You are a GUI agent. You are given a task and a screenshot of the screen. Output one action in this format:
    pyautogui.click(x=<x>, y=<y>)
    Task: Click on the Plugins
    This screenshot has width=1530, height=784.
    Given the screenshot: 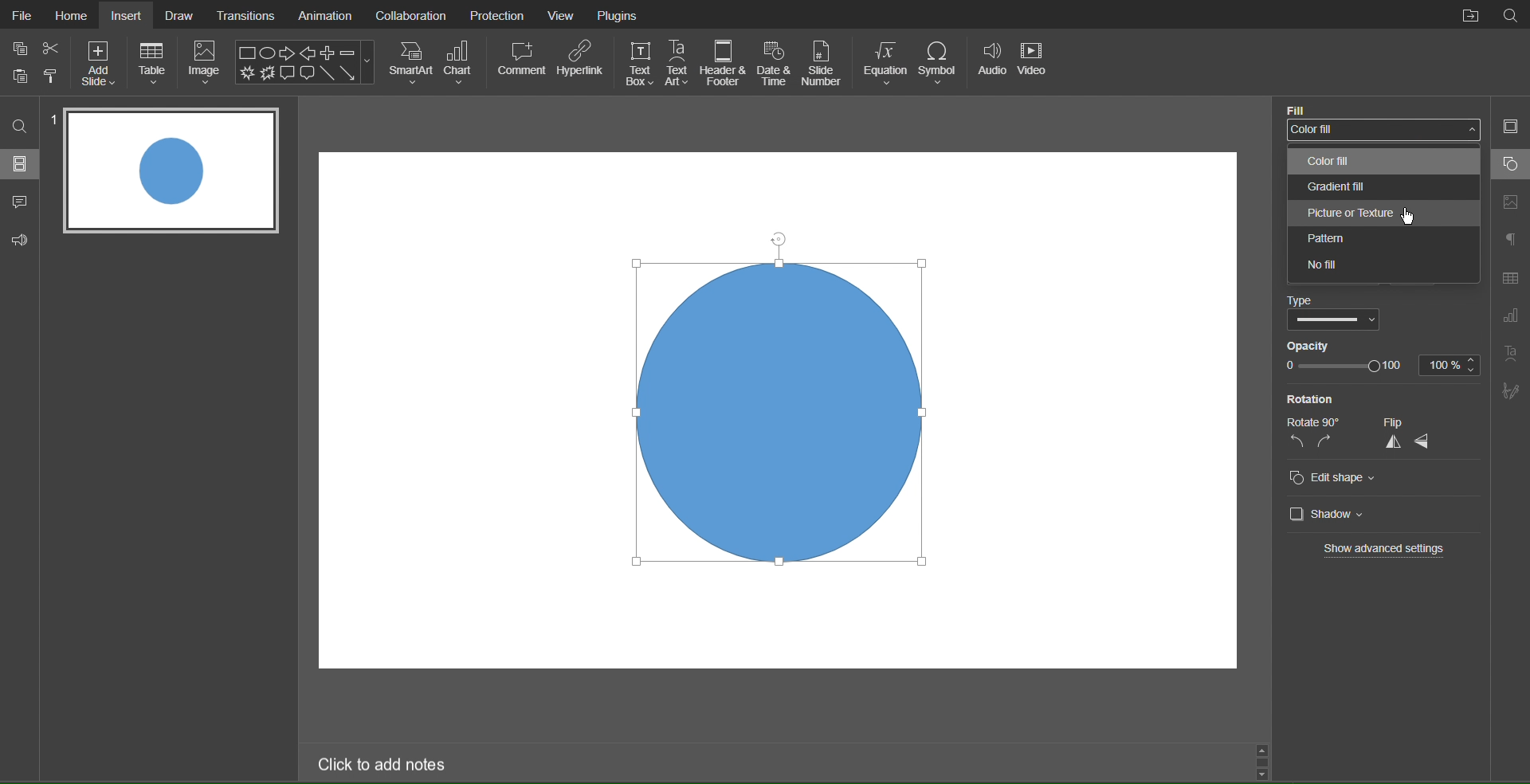 What is the action you would take?
    pyautogui.click(x=620, y=14)
    